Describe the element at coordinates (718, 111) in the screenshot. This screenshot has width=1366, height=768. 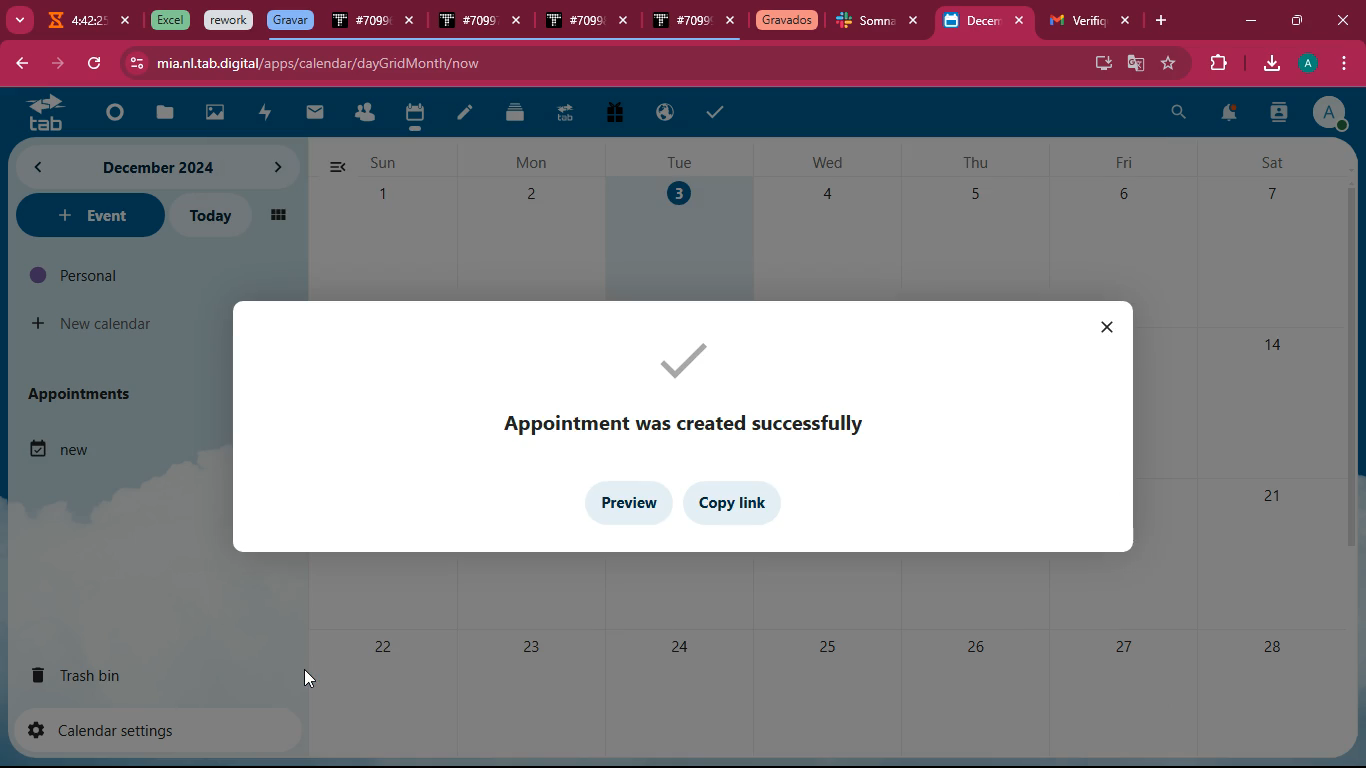
I see `taks` at that location.